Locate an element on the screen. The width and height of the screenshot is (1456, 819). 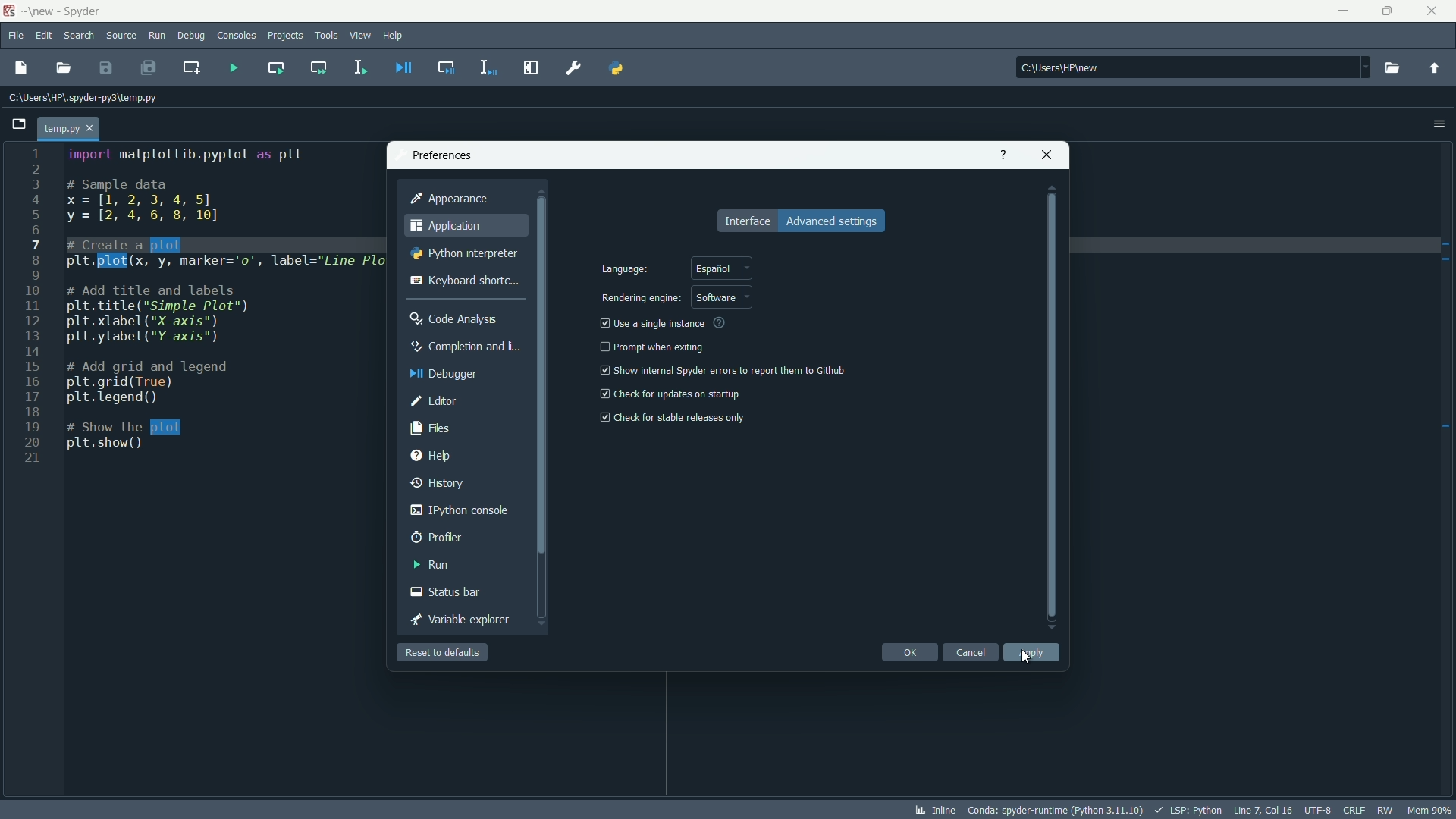
run file is located at coordinates (234, 67).